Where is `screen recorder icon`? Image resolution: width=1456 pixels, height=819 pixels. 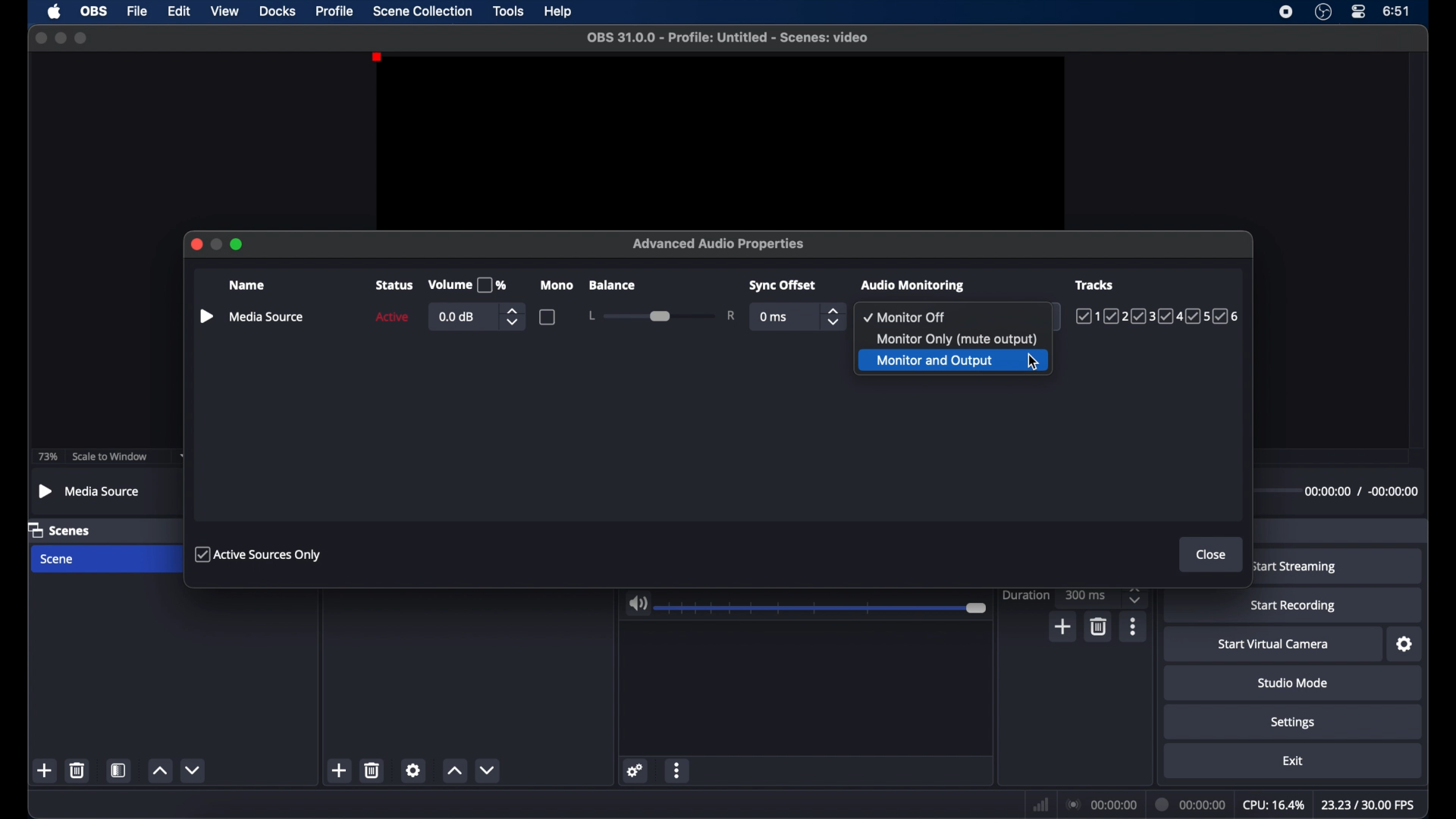
screen recorder icon is located at coordinates (1286, 11).